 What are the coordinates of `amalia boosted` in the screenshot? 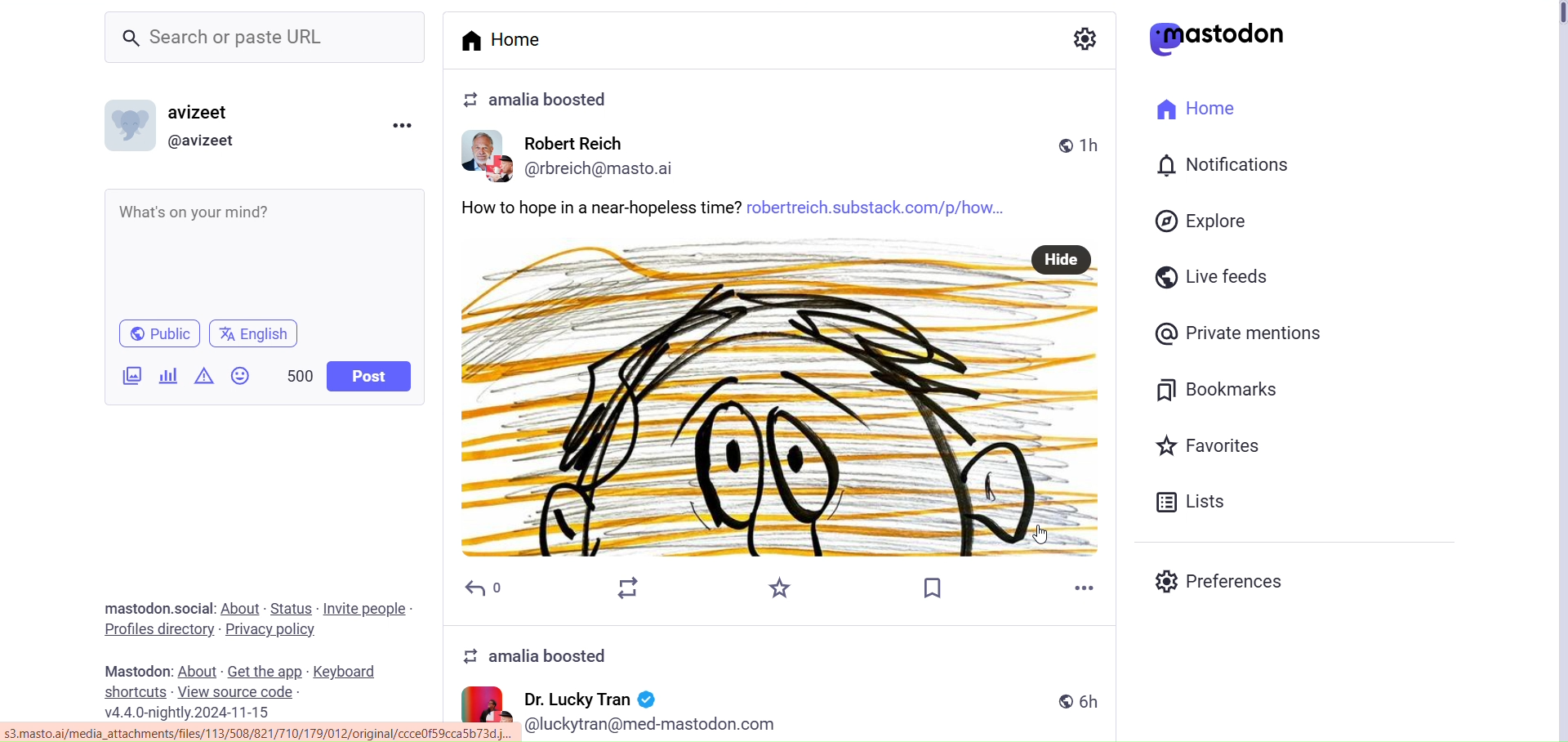 It's located at (538, 100).